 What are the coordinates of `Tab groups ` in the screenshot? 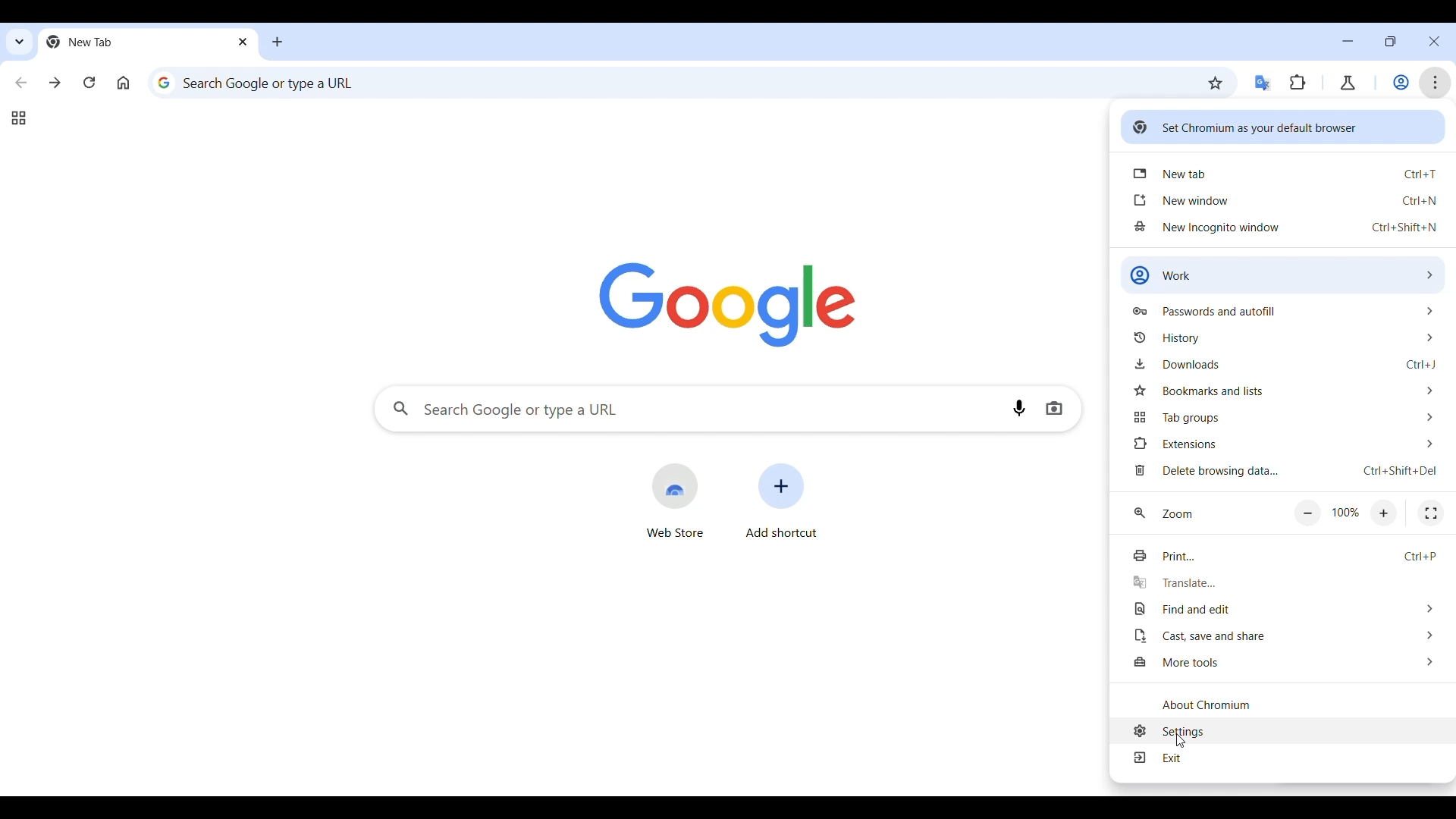 It's located at (19, 118).